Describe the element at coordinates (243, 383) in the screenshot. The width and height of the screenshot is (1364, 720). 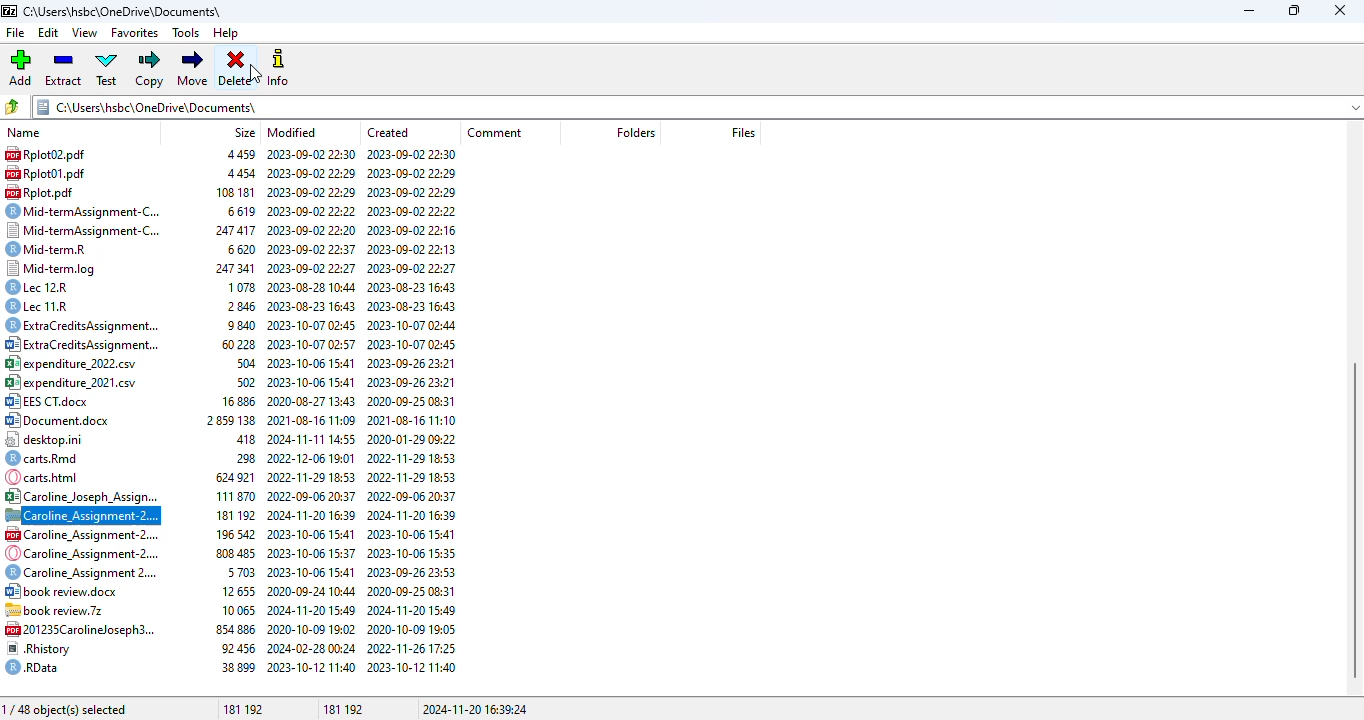
I see `502` at that location.